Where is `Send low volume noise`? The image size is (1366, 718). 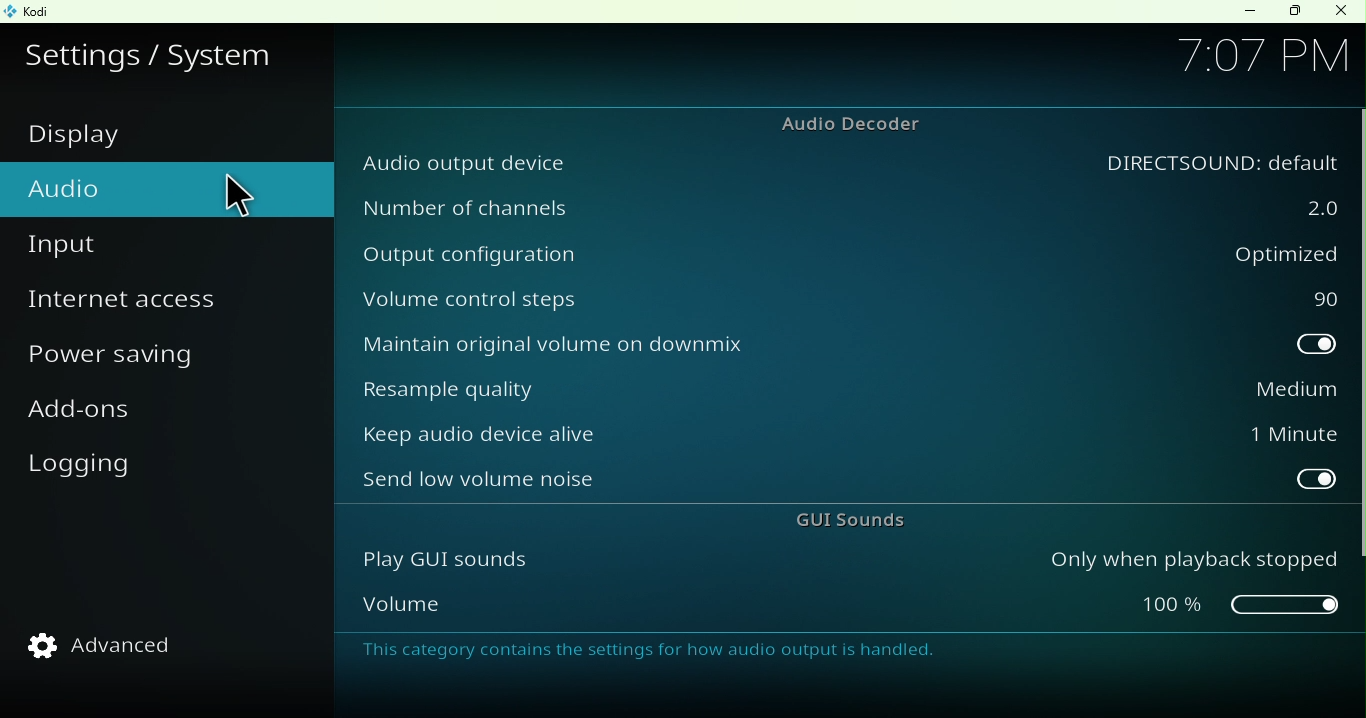
Send low volume noise is located at coordinates (725, 480).